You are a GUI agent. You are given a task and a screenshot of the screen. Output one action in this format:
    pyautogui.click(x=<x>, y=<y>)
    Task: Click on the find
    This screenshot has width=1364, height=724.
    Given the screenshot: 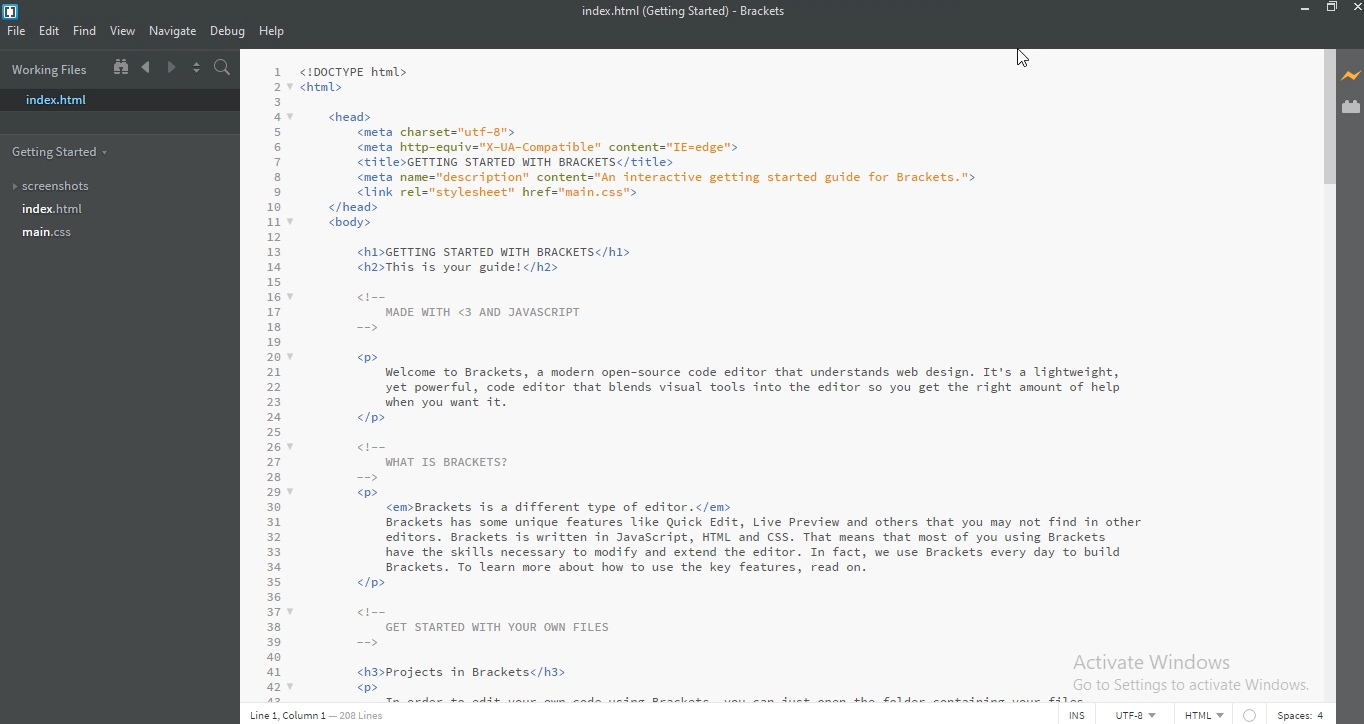 What is the action you would take?
    pyautogui.click(x=84, y=33)
    